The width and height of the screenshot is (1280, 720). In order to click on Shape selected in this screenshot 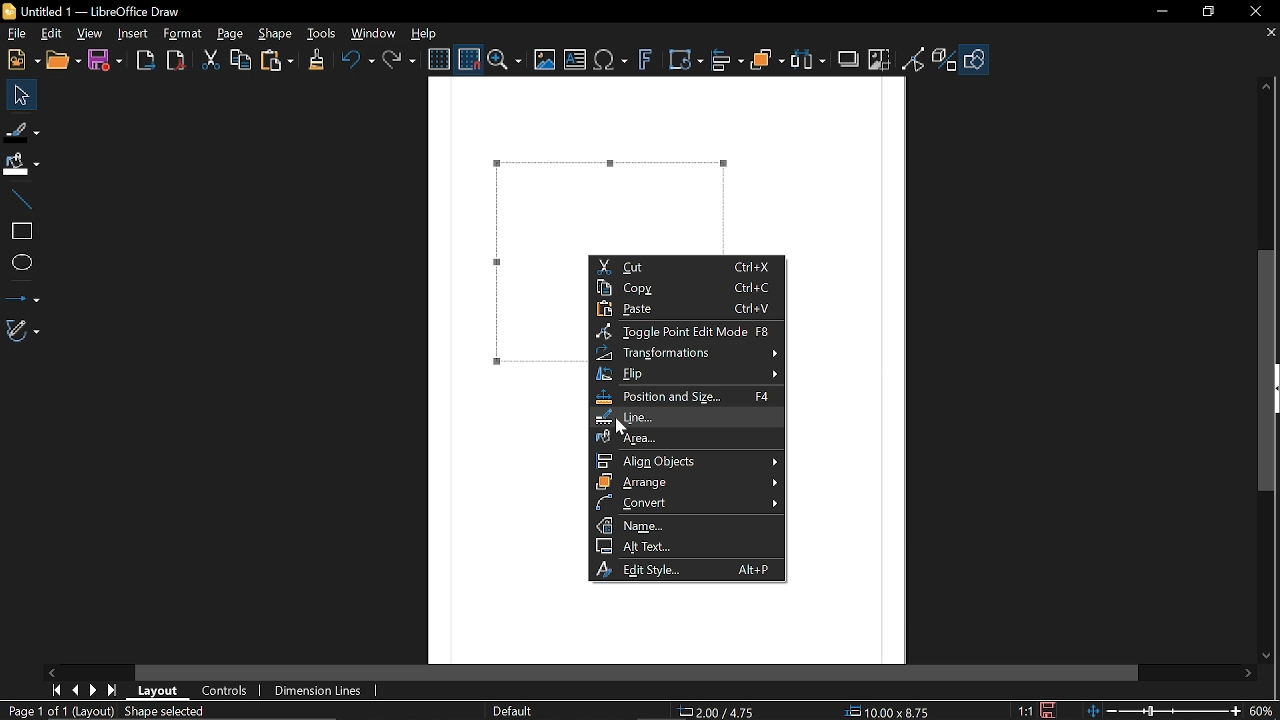, I will do `click(182, 712)`.